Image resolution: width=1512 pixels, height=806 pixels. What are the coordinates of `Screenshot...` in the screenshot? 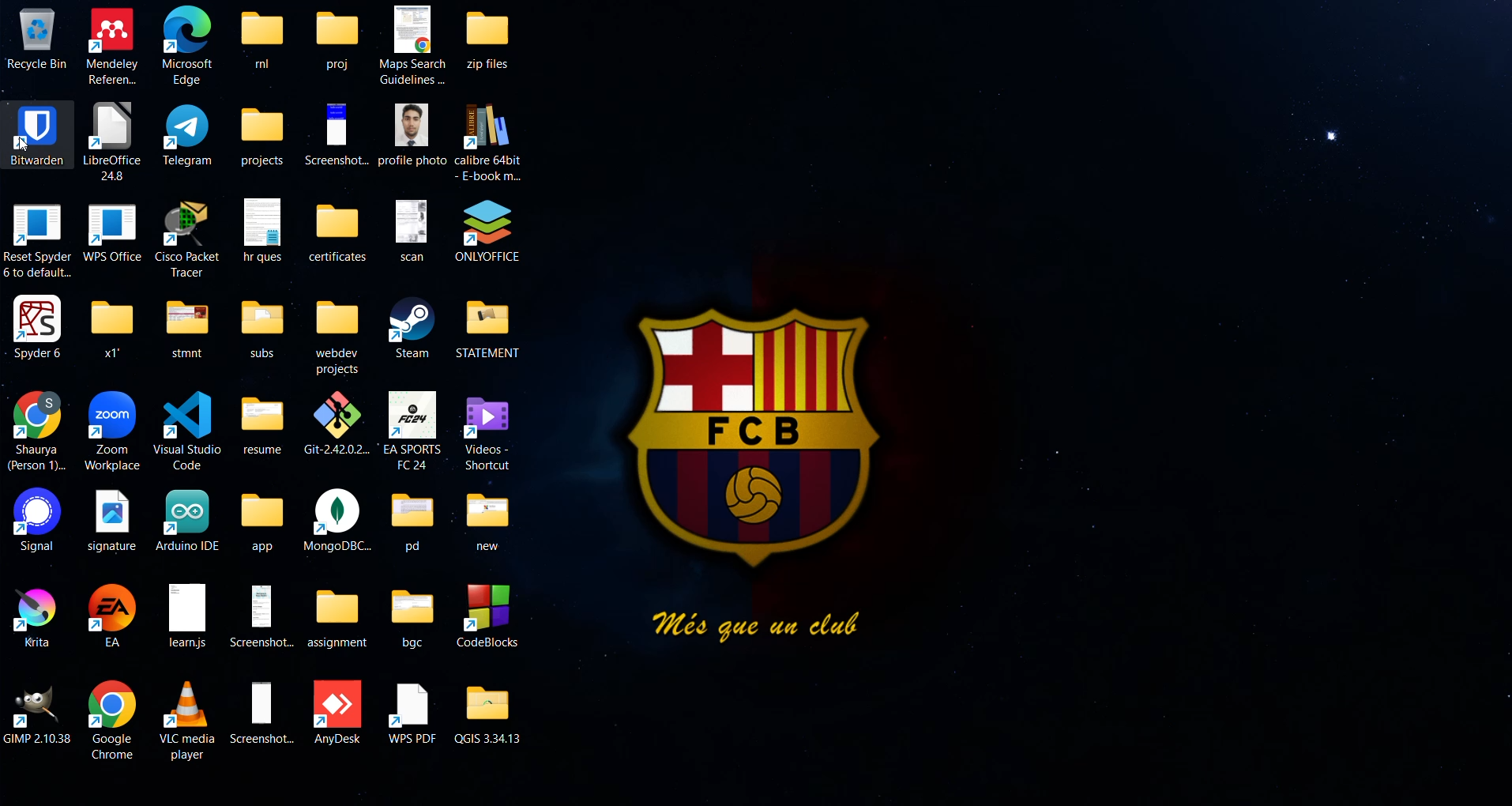 It's located at (265, 615).